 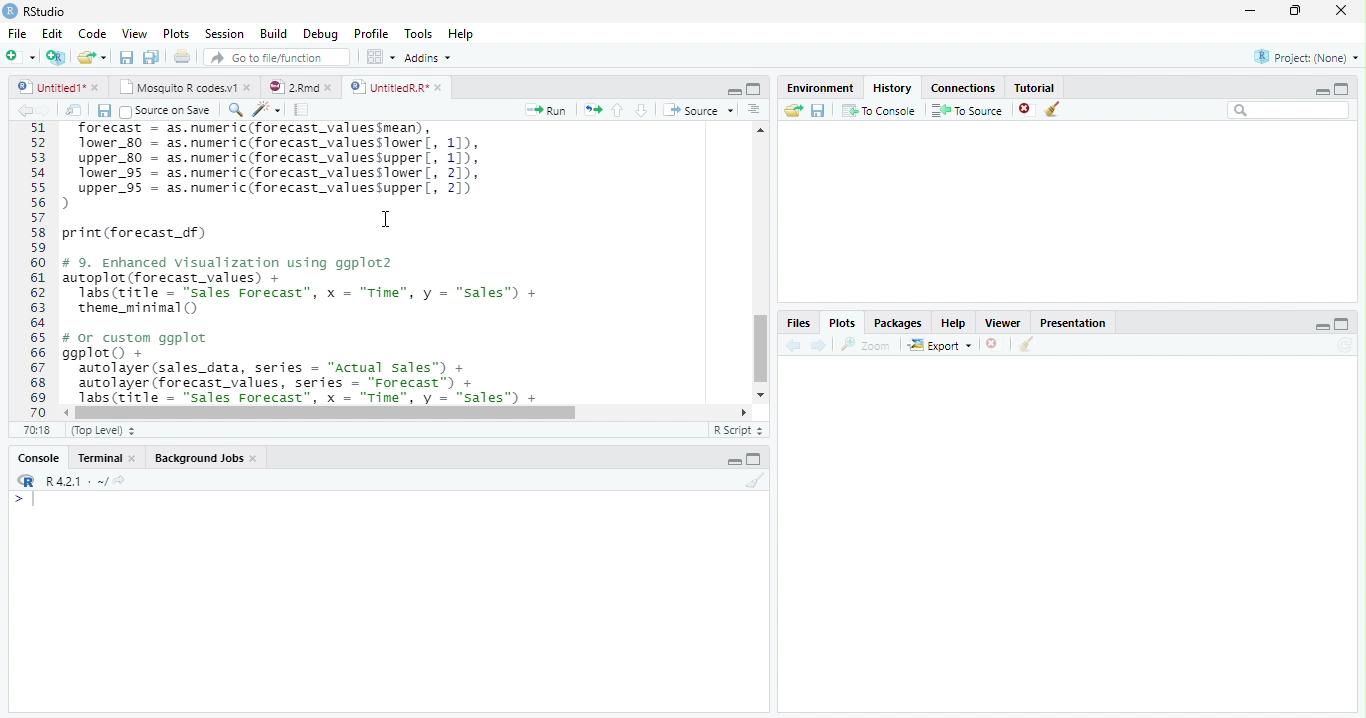 I want to click on Minimize, so click(x=731, y=460).